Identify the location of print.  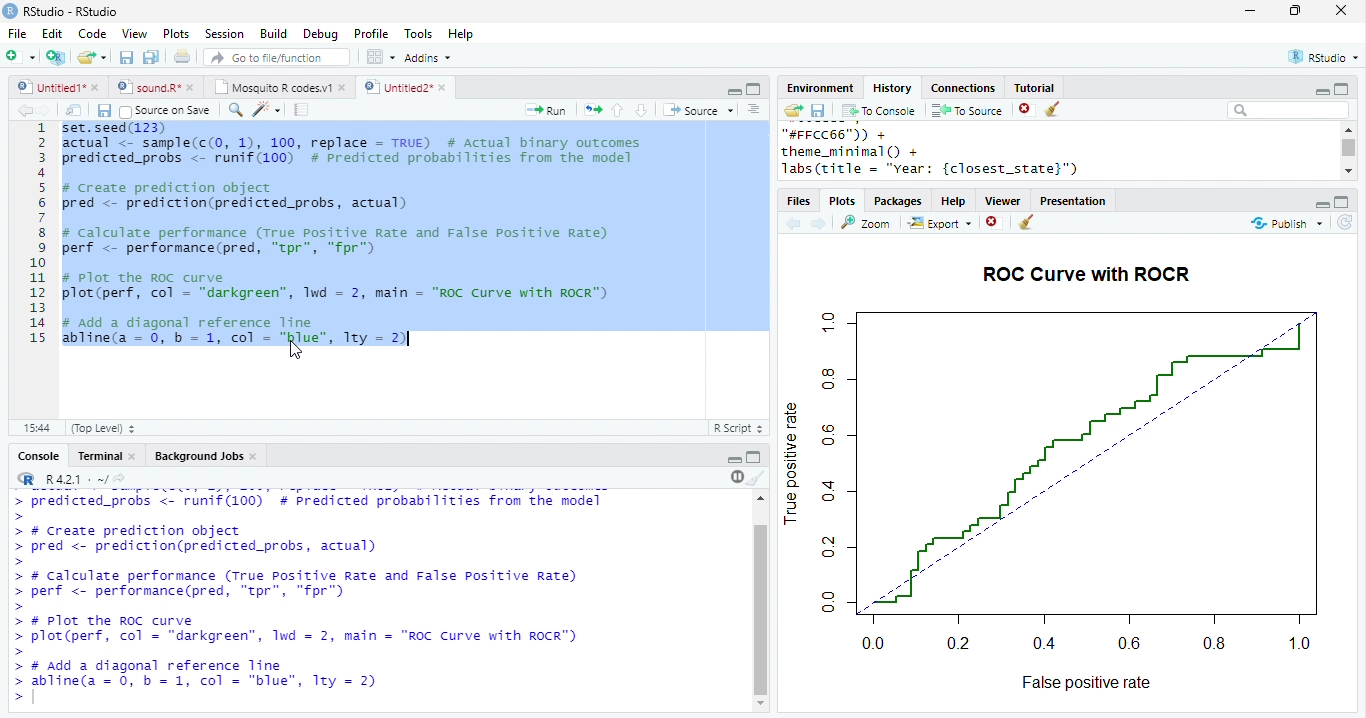
(183, 56).